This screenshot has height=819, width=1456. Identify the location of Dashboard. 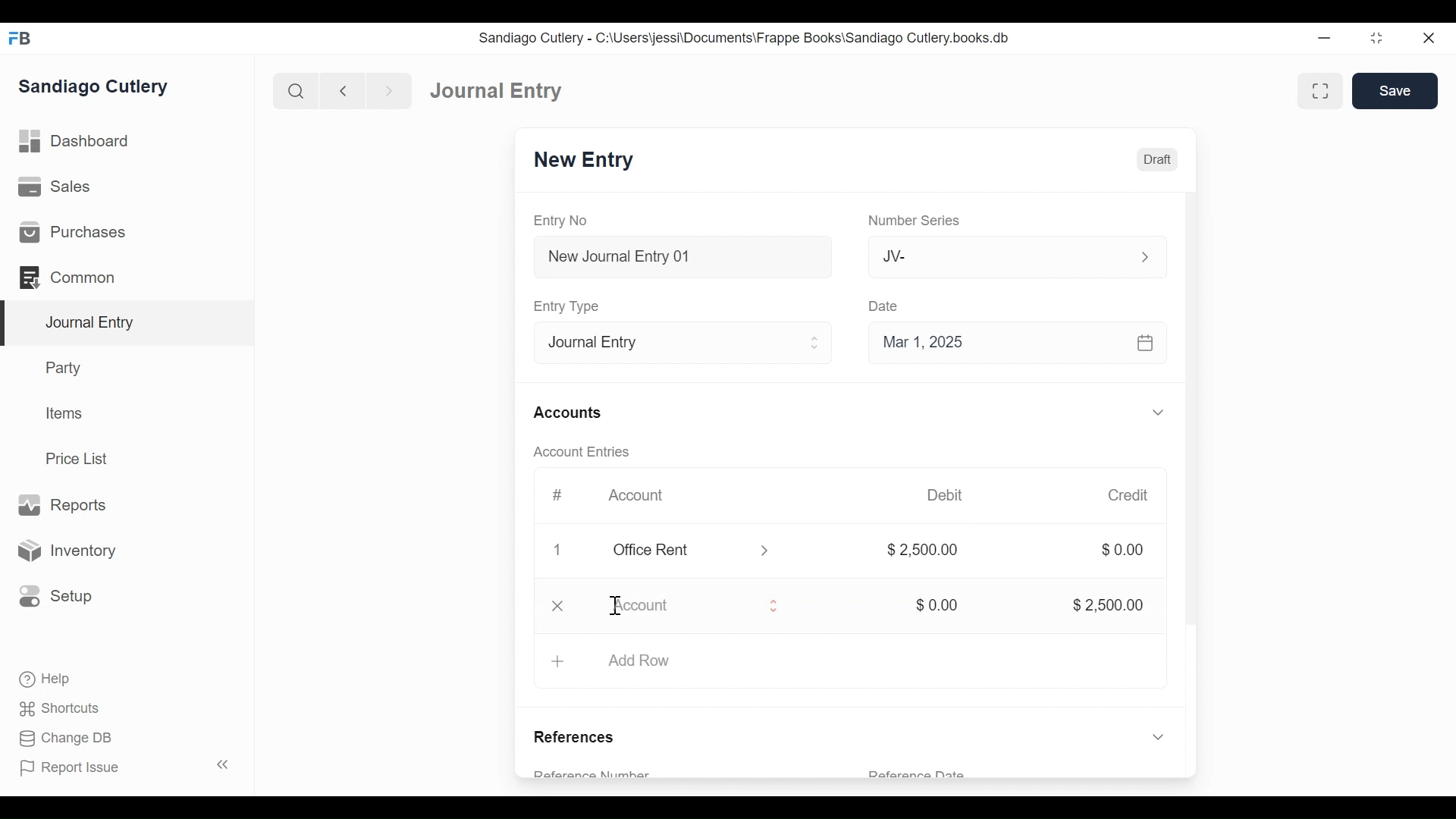
(491, 89).